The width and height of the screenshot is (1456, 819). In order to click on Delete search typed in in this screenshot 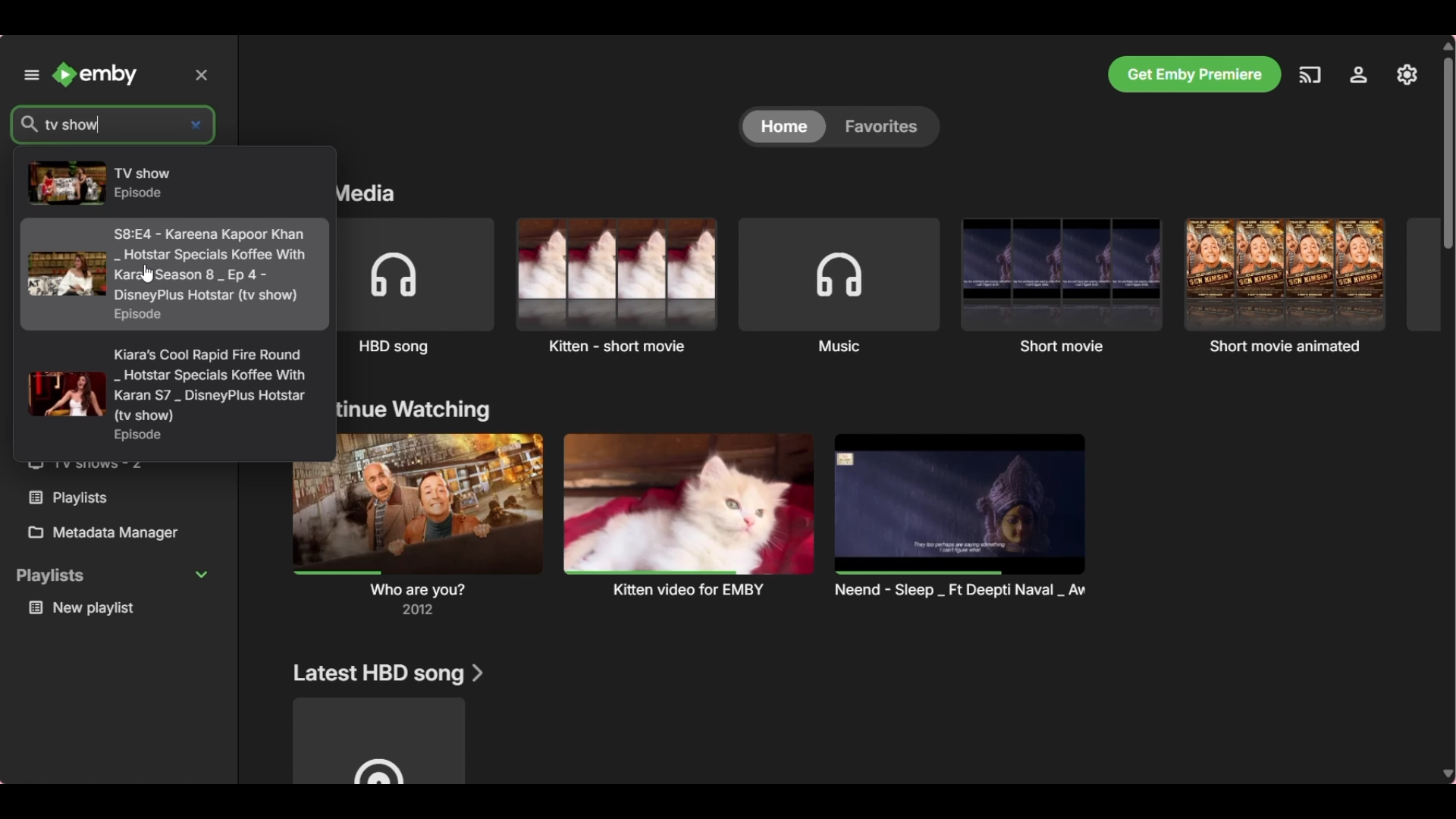, I will do `click(196, 126)`.